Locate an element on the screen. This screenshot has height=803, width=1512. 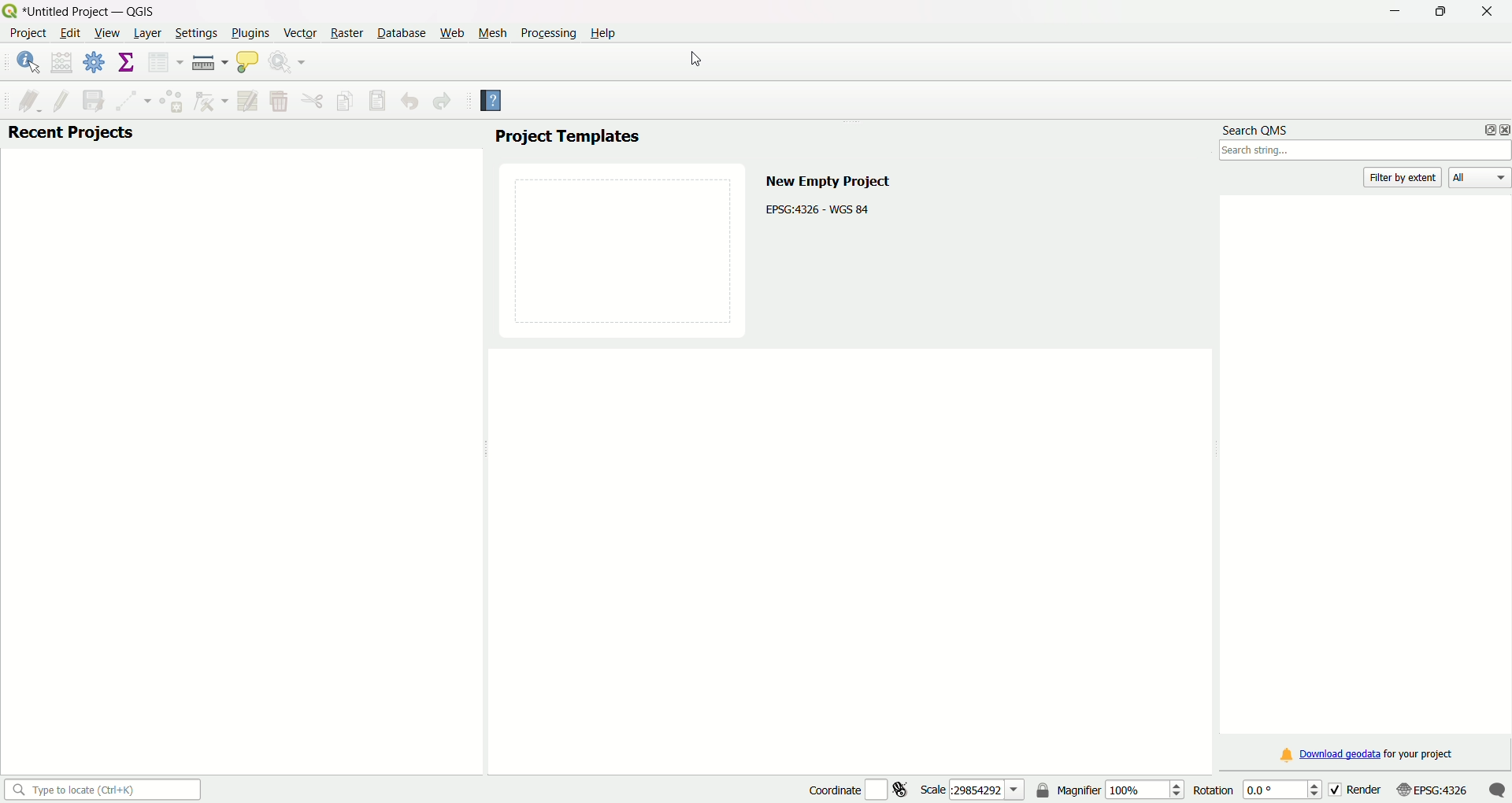
copy feature is located at coordinates (346, 100).